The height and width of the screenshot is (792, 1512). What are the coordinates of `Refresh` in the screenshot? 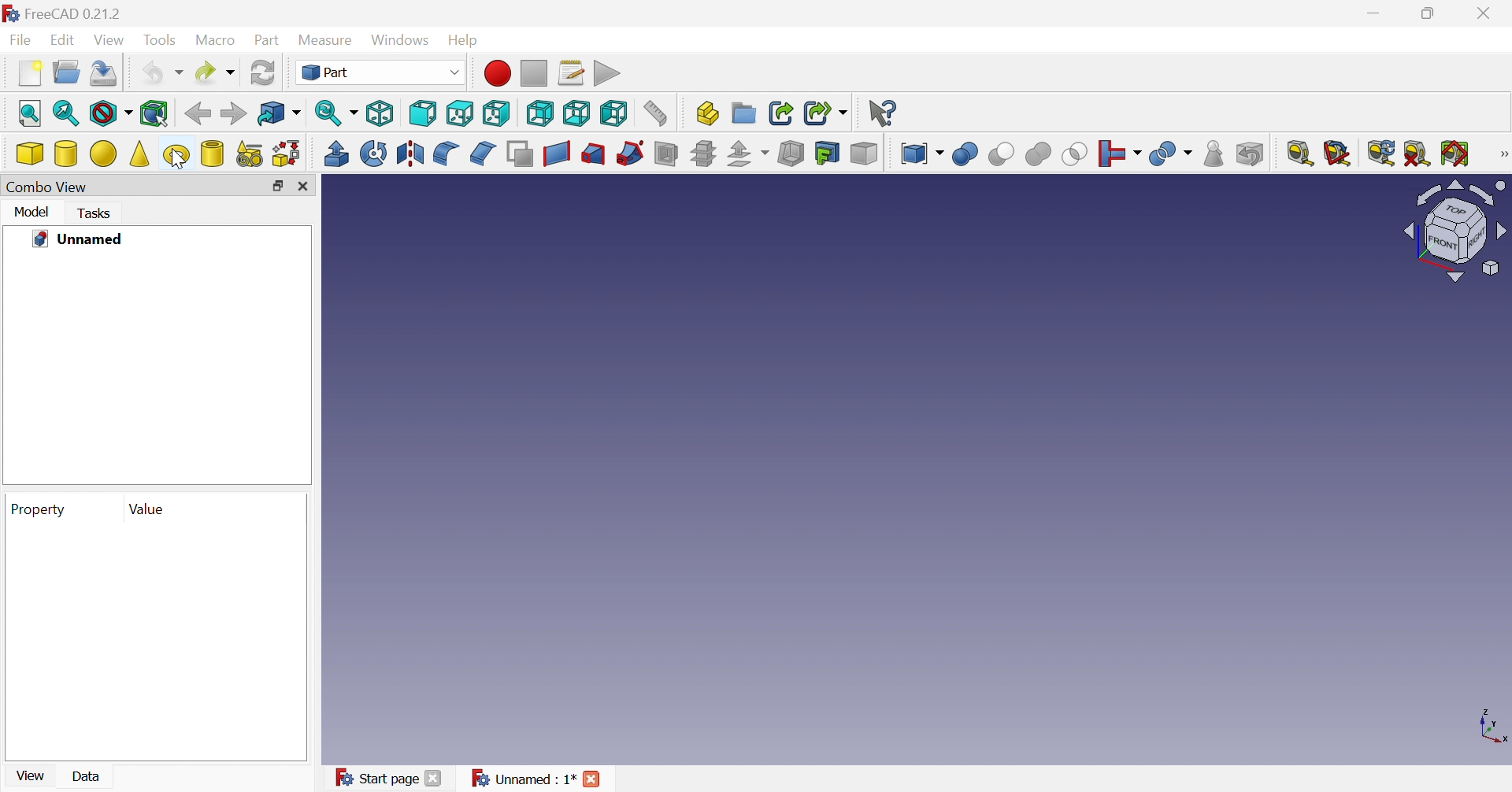 It's located at (1383, 153).